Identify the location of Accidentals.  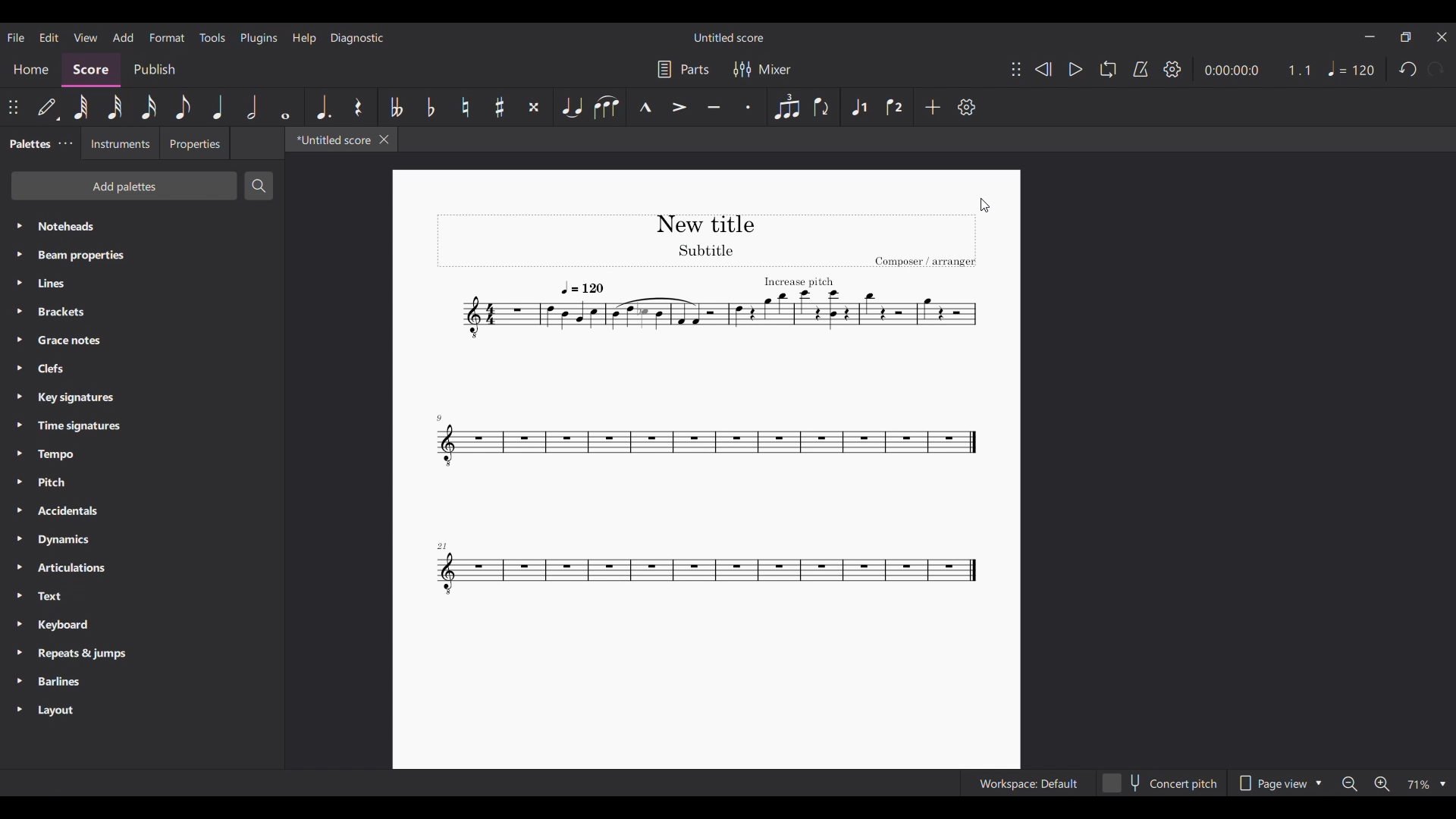
(142, 512).